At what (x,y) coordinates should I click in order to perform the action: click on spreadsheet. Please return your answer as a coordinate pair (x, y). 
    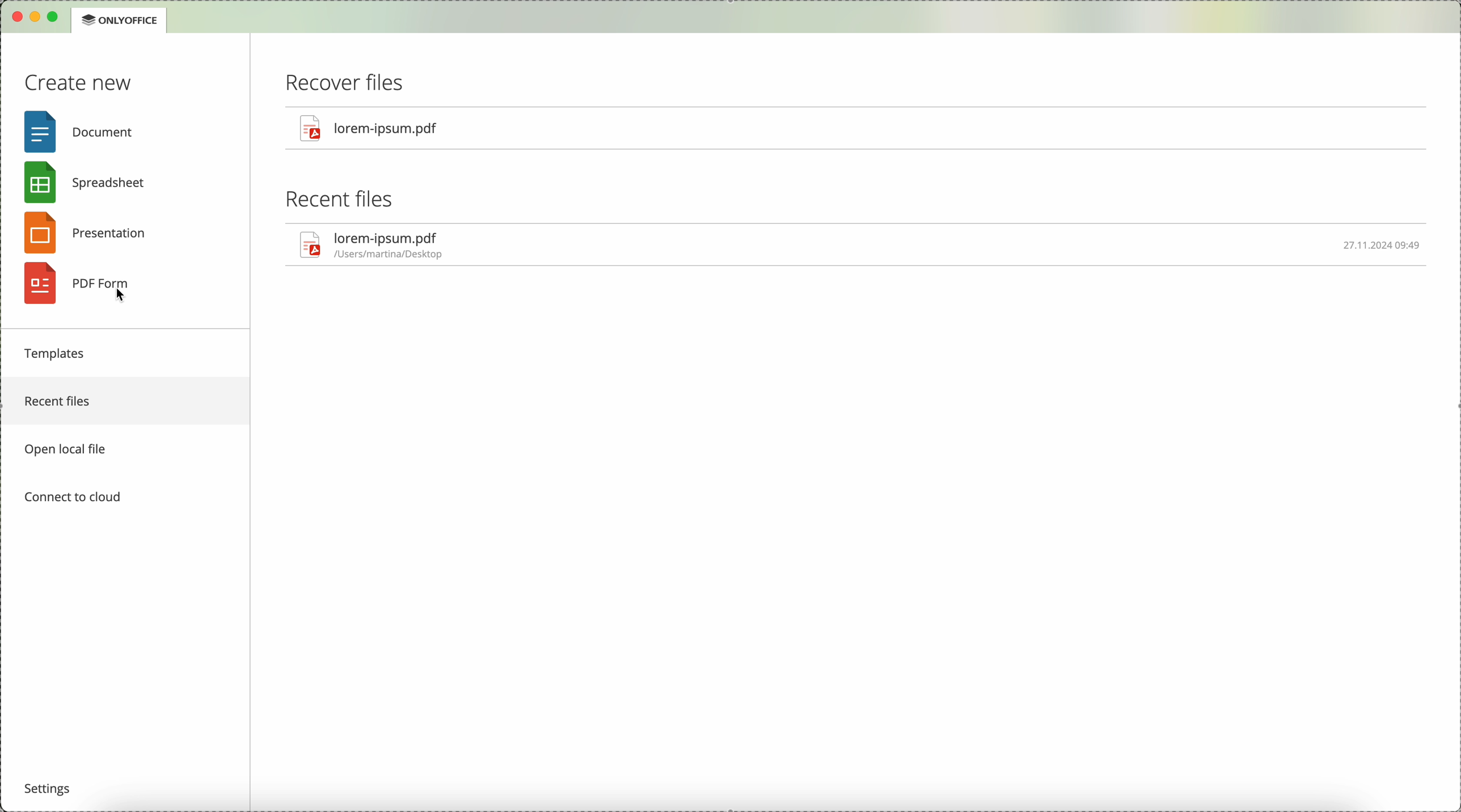
    Looking at the image, I should click on (90, 180).